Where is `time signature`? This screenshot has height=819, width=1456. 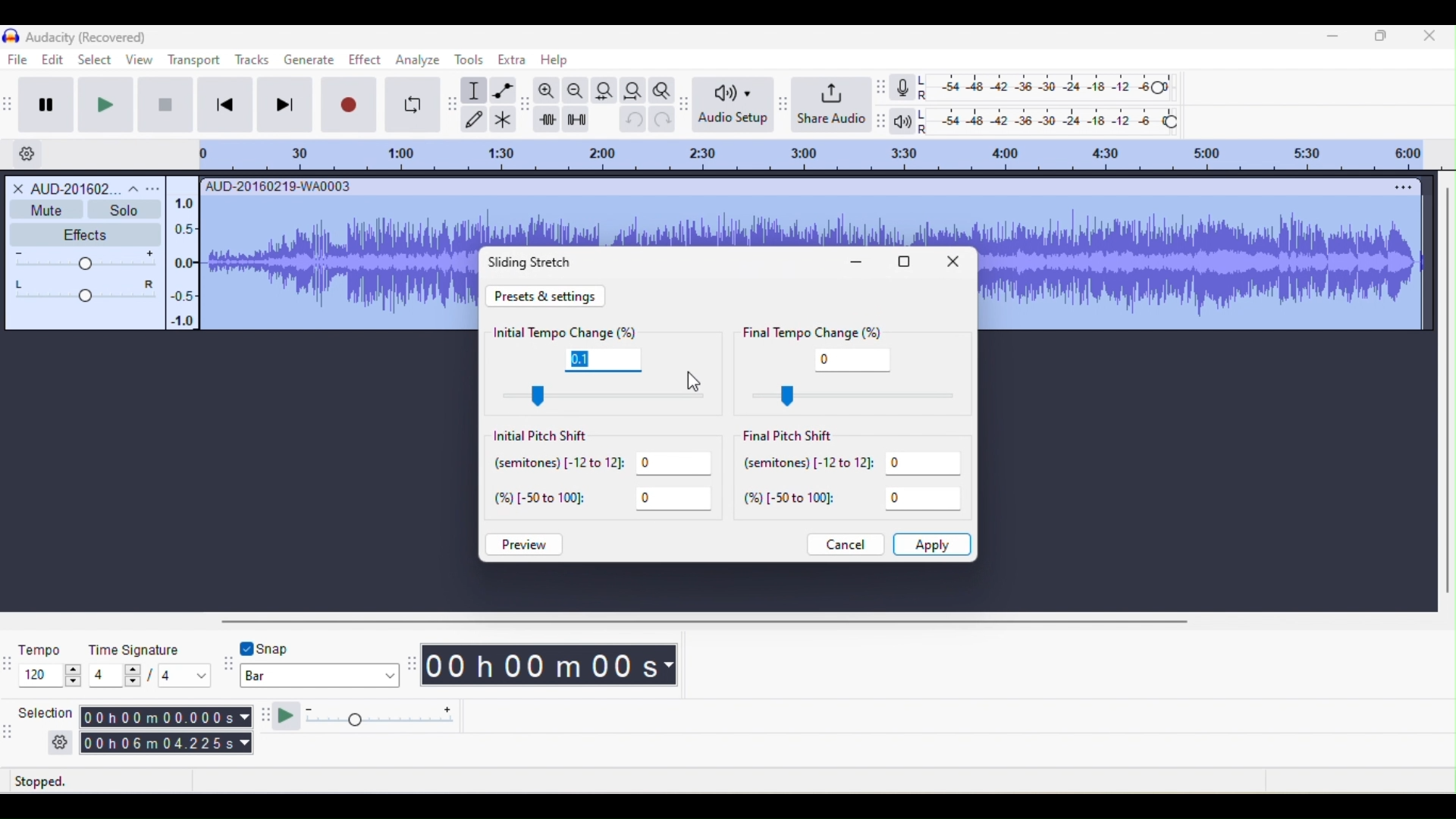 time signature is located at coordinates (151, 663).